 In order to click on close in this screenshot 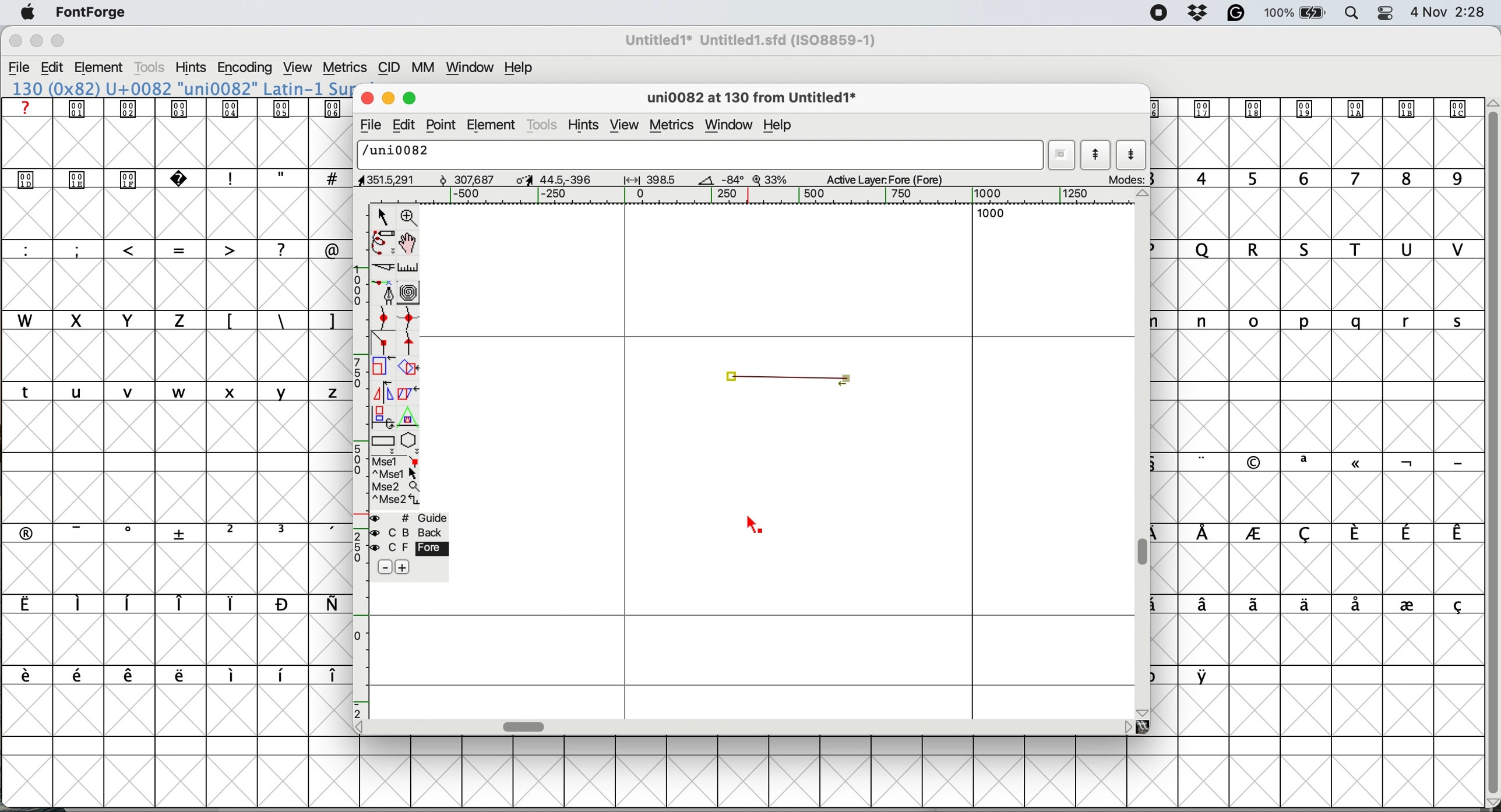, I will do `click(15, 41)`.